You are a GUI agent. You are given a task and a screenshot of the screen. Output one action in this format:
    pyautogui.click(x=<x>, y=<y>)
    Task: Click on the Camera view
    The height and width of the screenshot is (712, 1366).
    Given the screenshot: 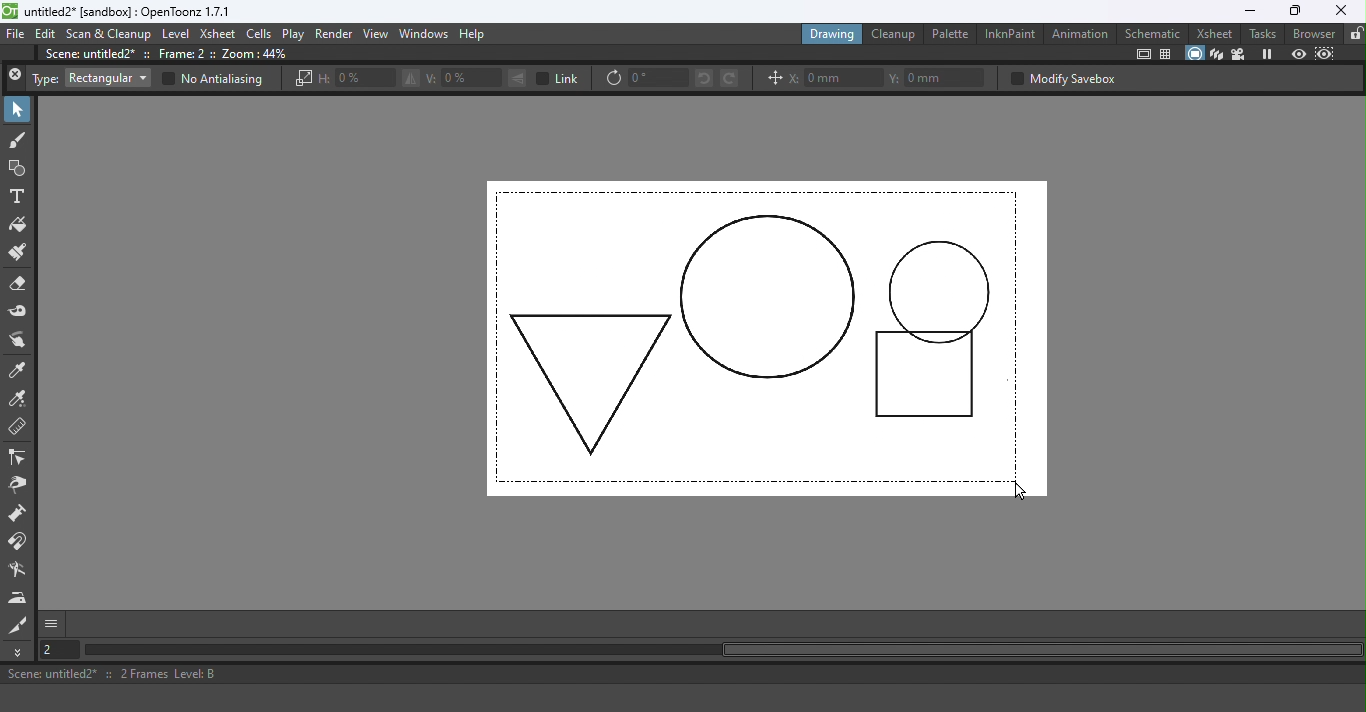 What is the action you would take?
    pyautogui.click(x=1238, y=55)
    